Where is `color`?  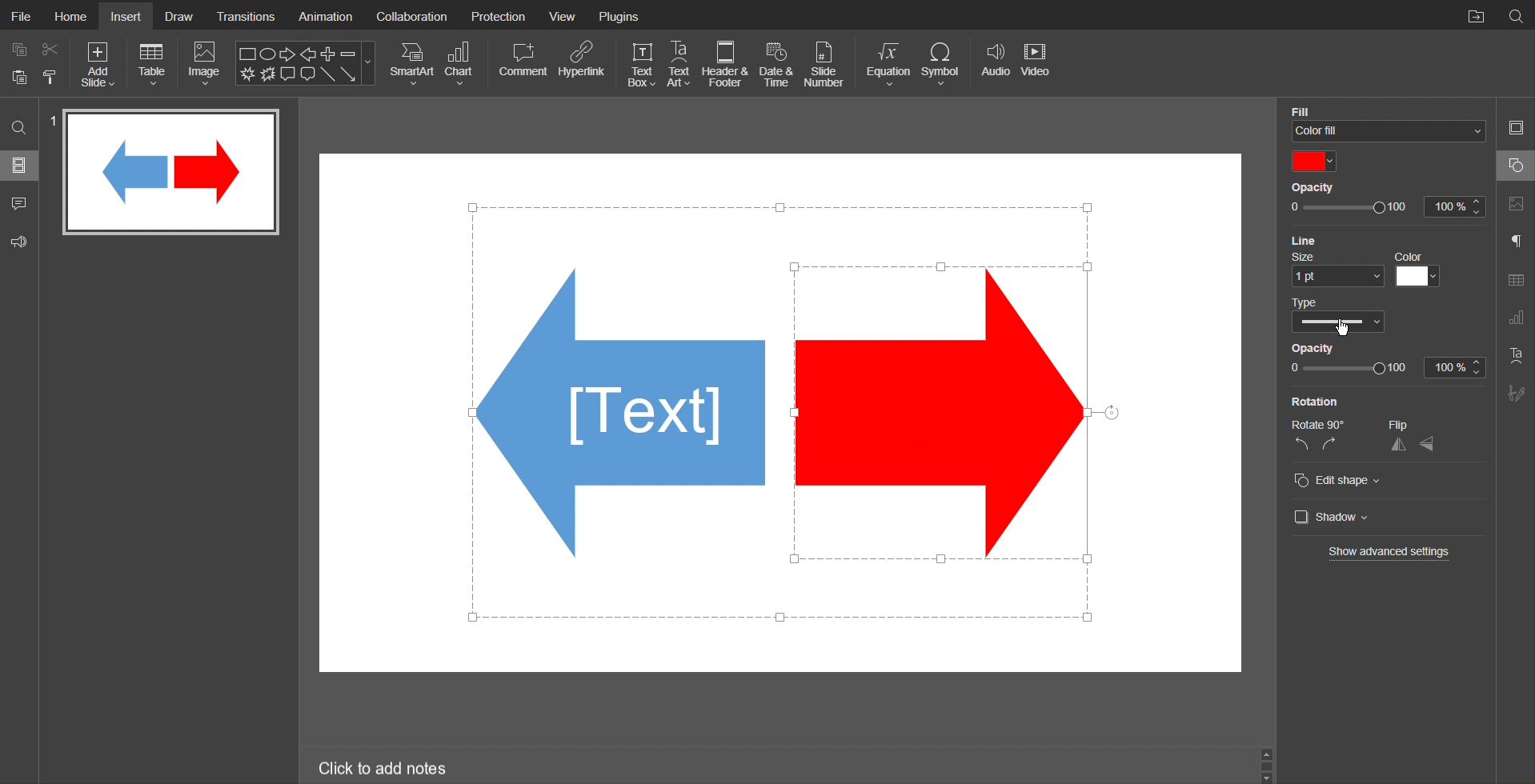 color is located at coordinates (1421, 269).